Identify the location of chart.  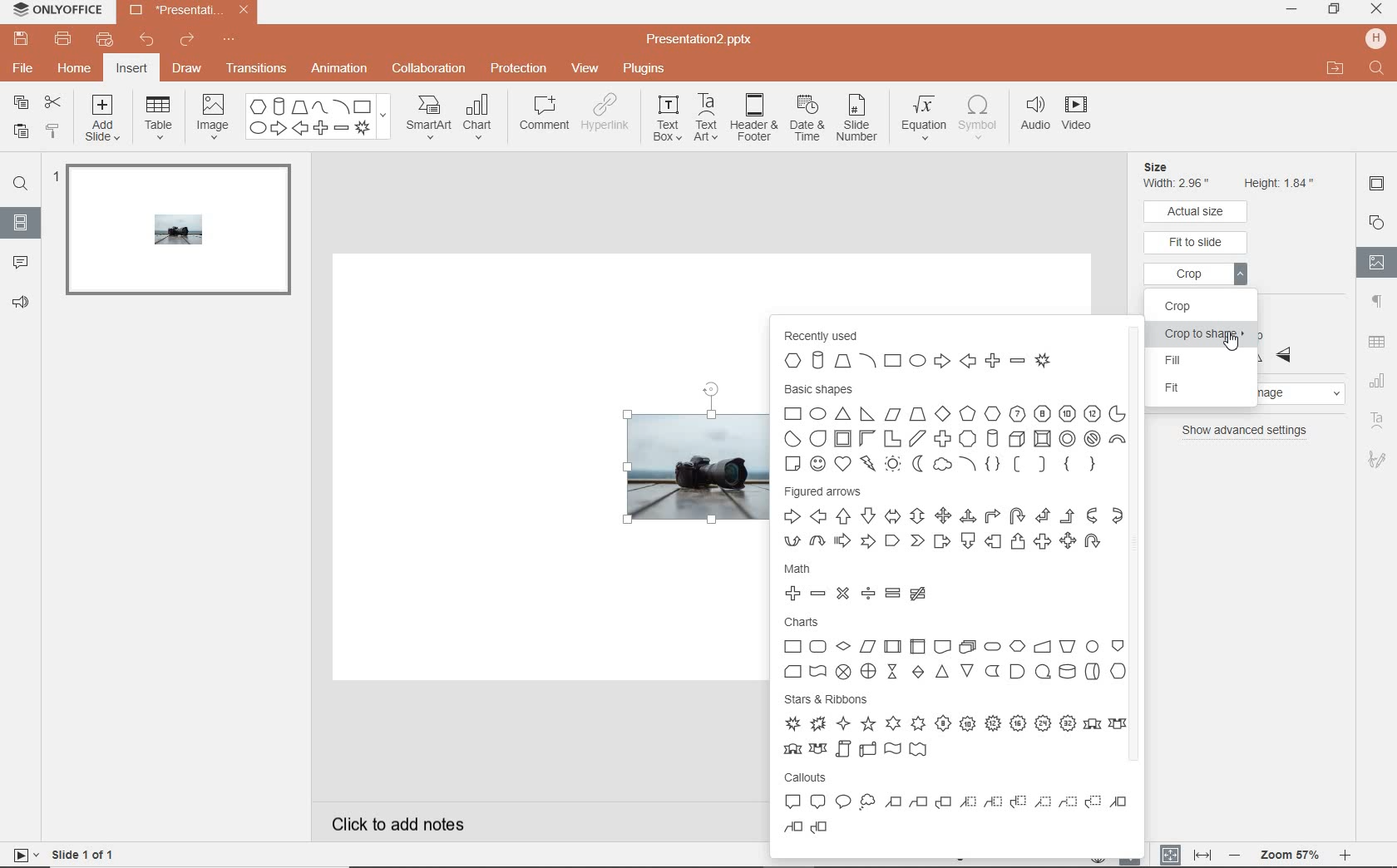
(483, 118).